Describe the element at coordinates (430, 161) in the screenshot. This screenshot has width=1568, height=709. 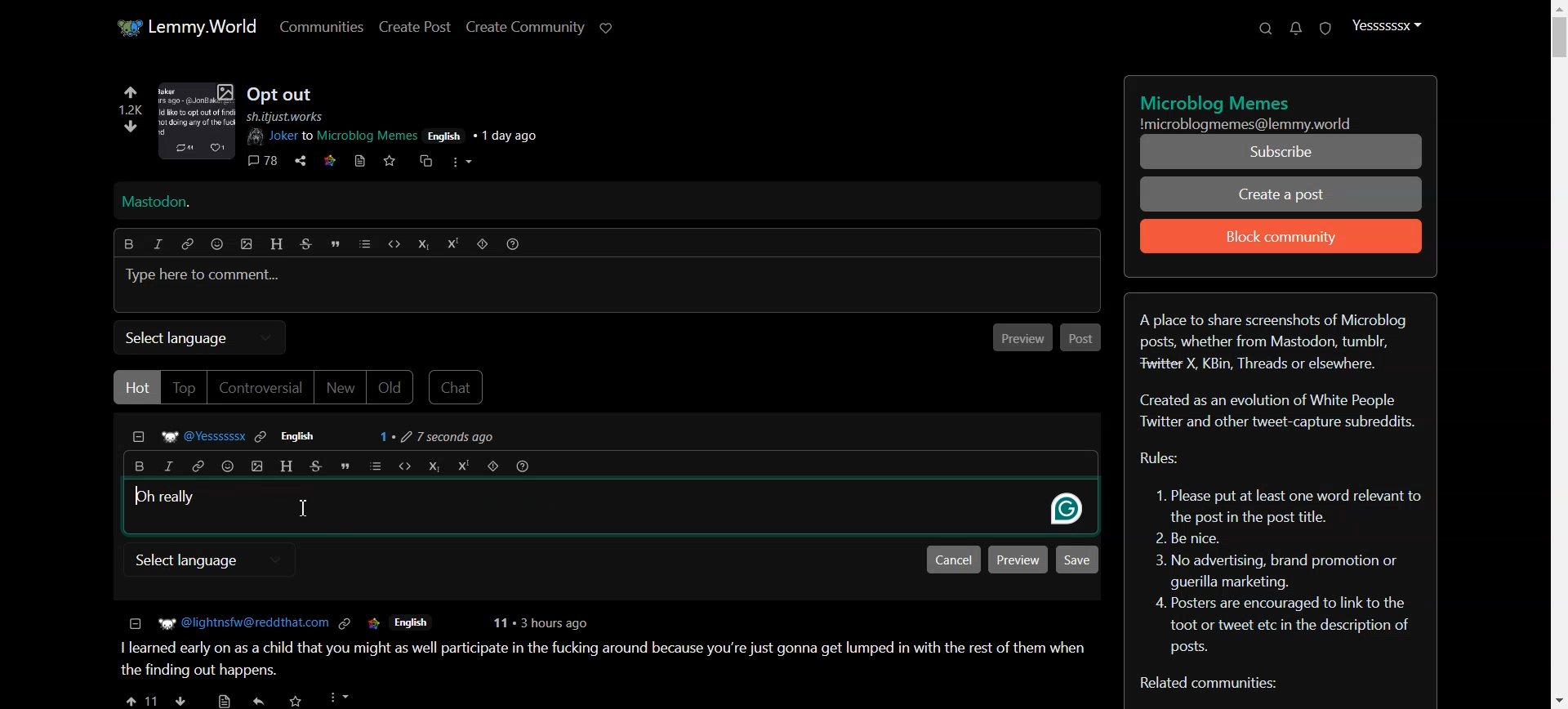
I see `cross share` at that location.